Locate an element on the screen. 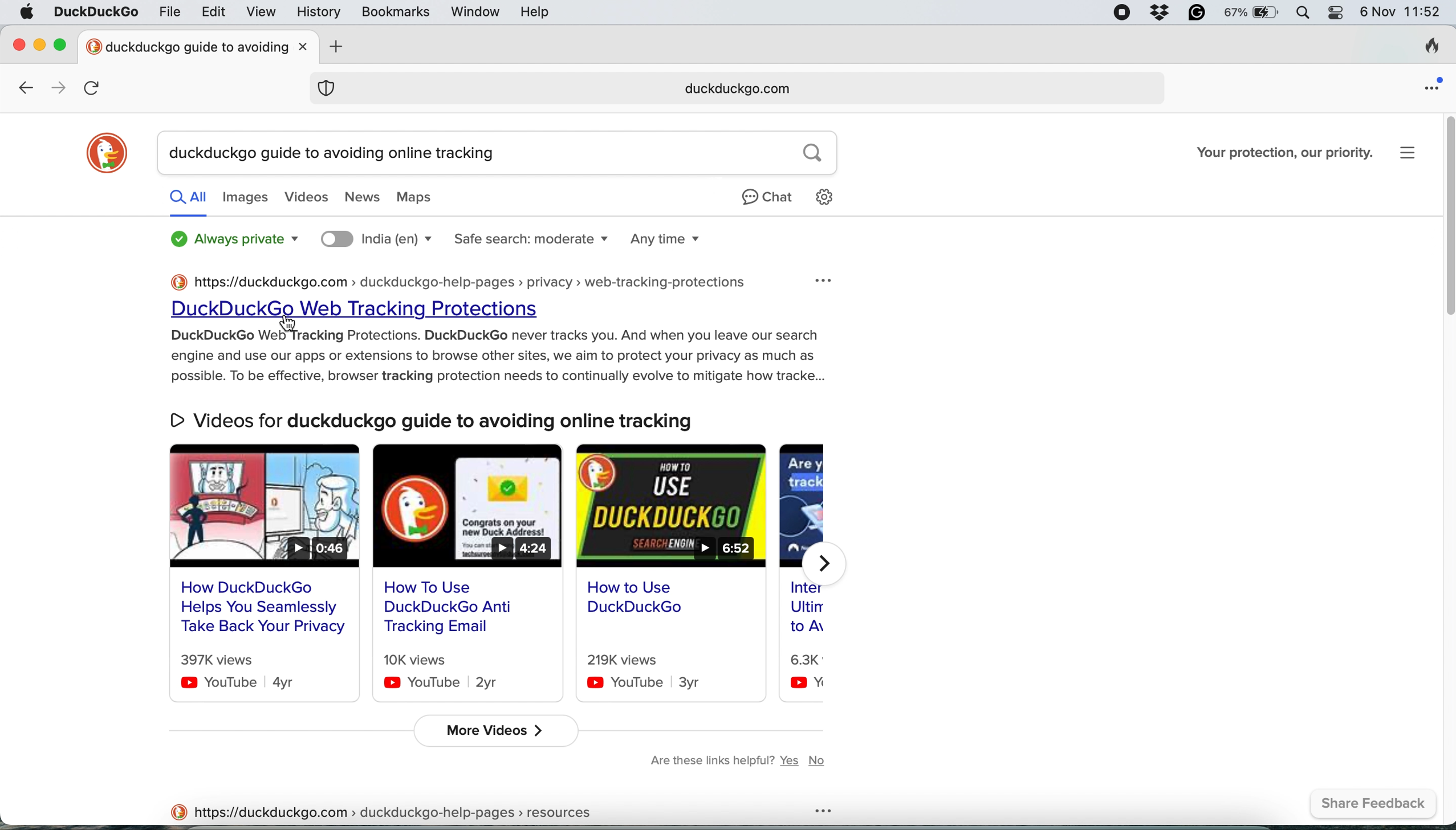  youtube is located at coordinates (597, 684).